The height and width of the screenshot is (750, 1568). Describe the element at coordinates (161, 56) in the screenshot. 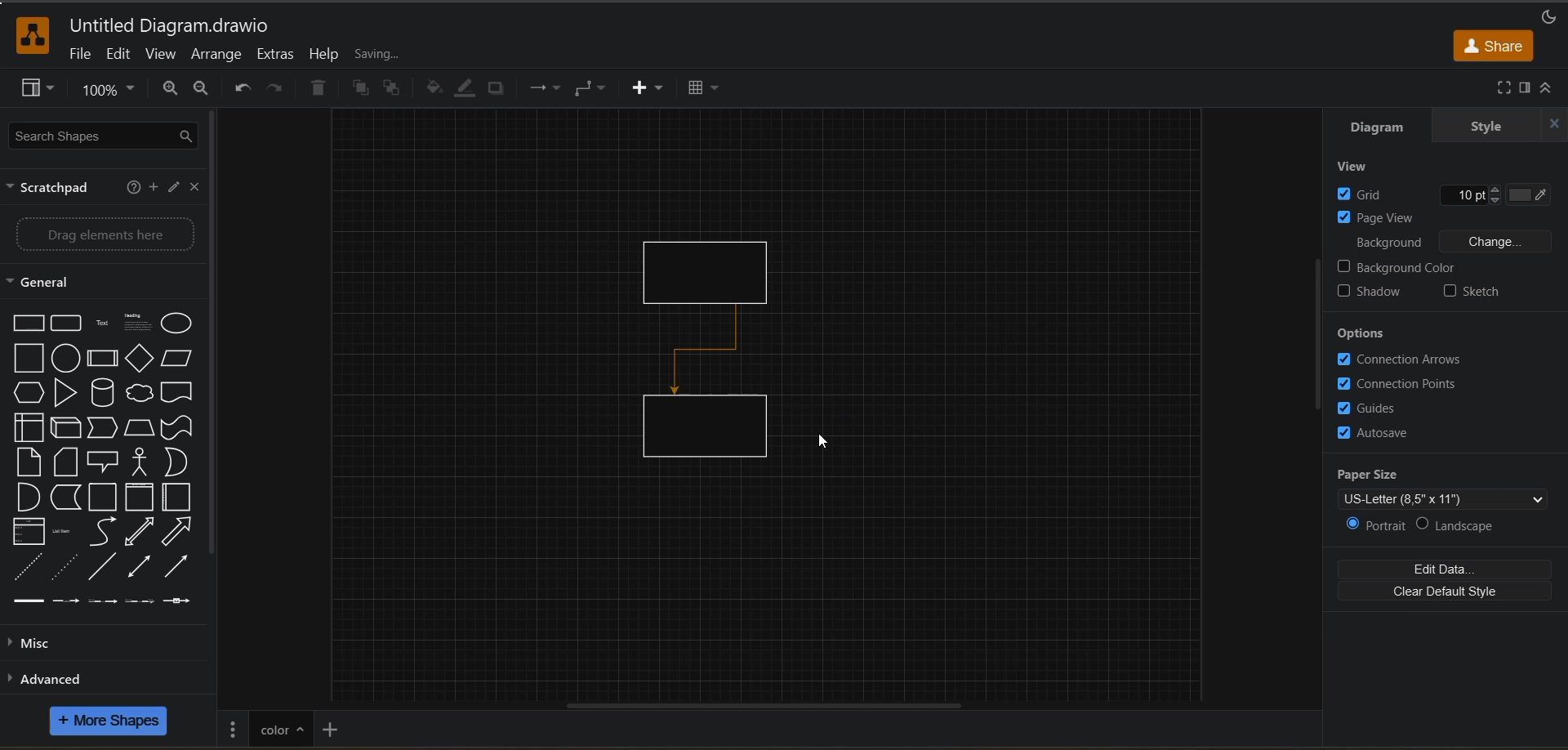

I see `view` at that location.